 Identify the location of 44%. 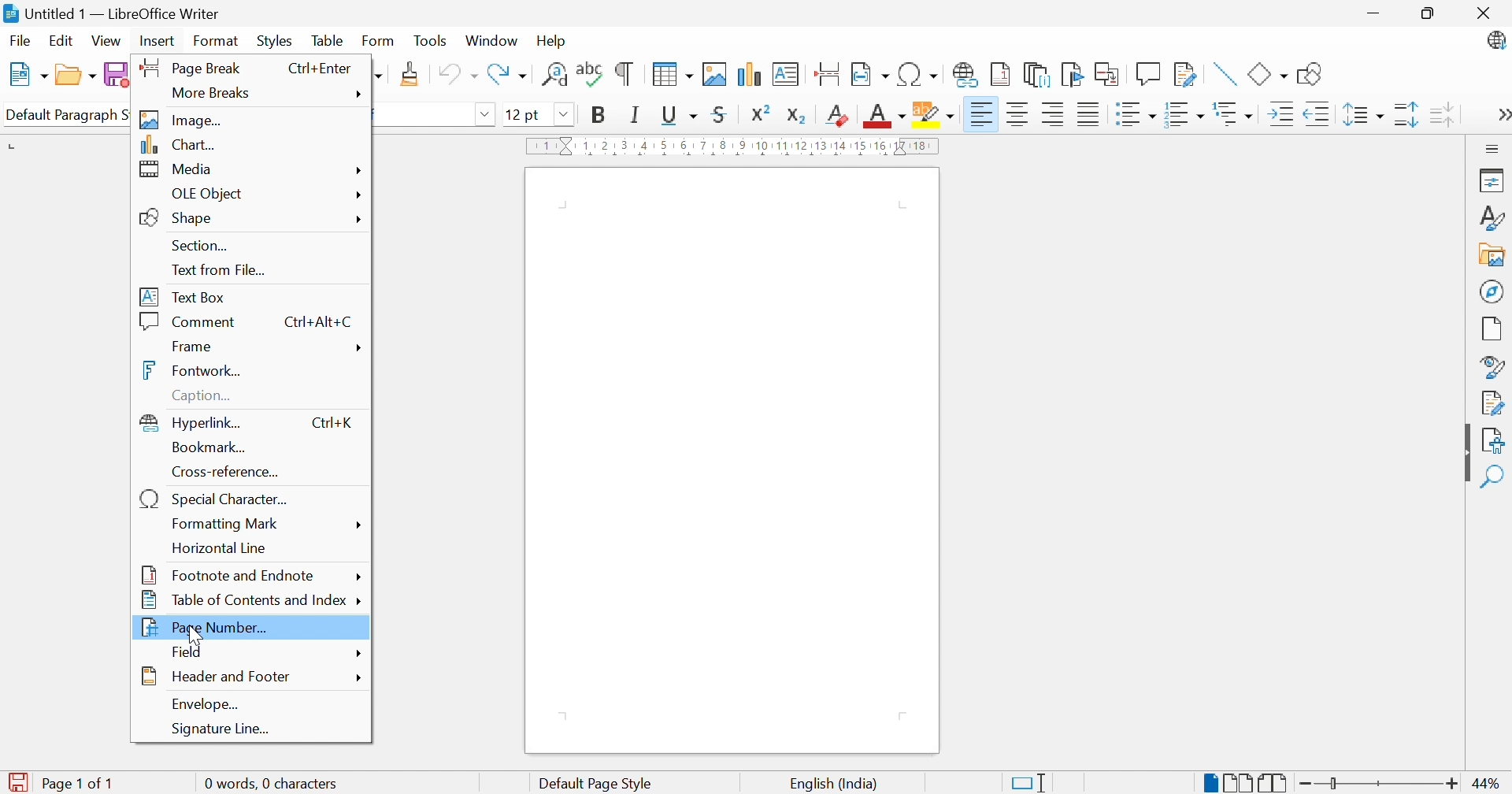
(1488, 784).